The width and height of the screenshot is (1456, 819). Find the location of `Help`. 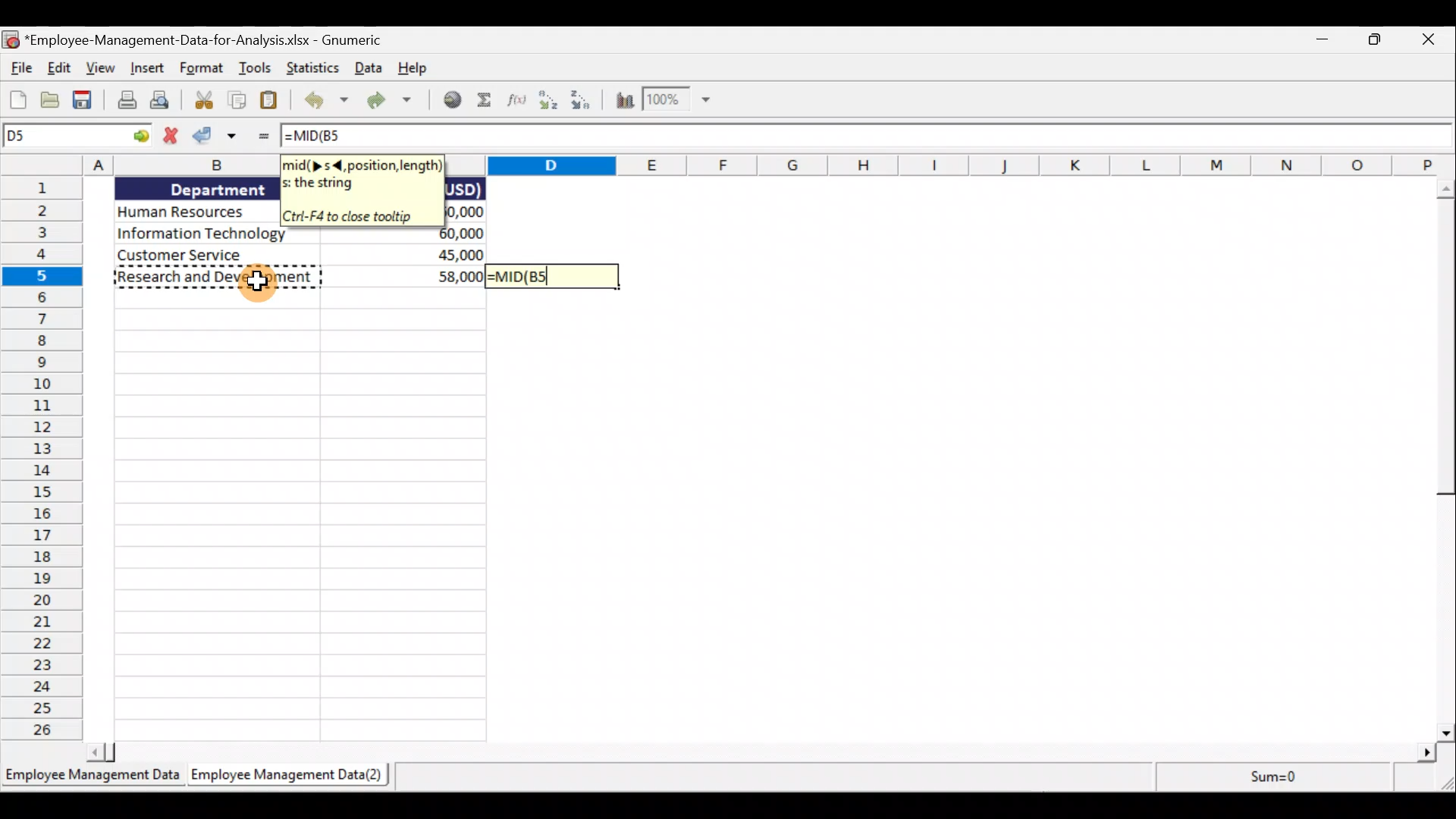

Help is located at coordinates (412, 69).